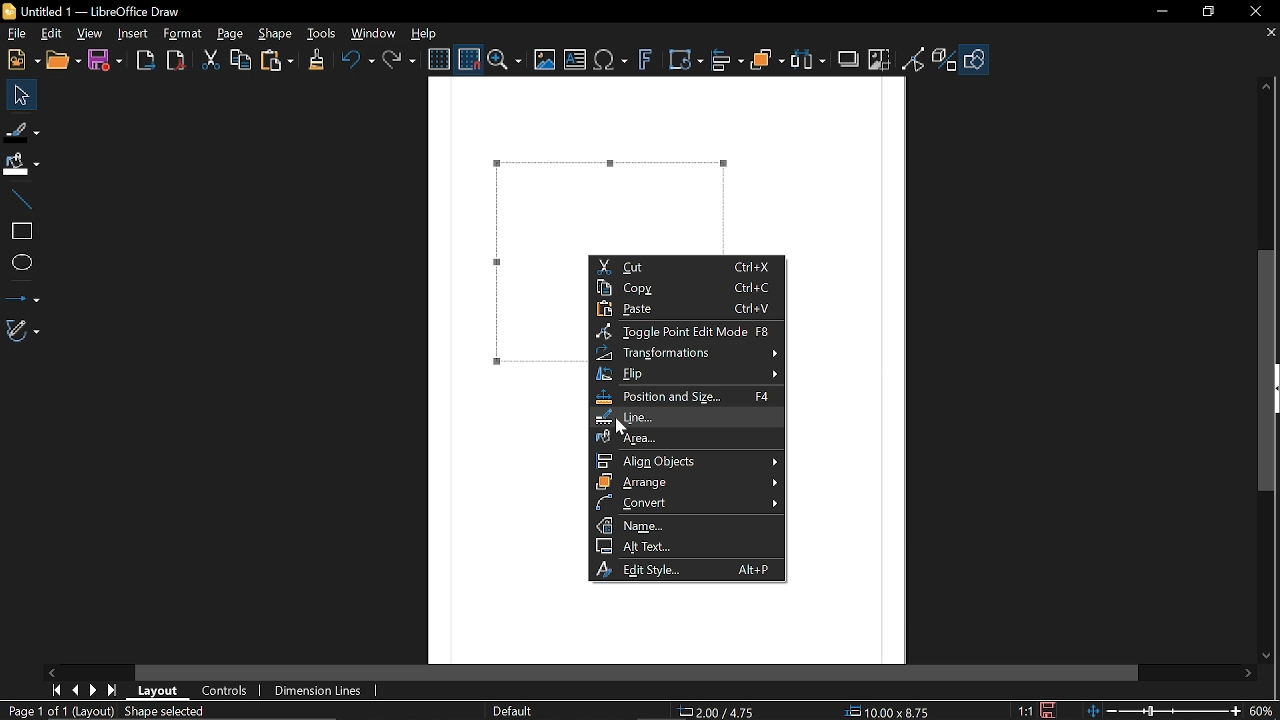 The height and width of the screenshot is (720, 1280). I want to click on Export to pdf, so click(176, 60).